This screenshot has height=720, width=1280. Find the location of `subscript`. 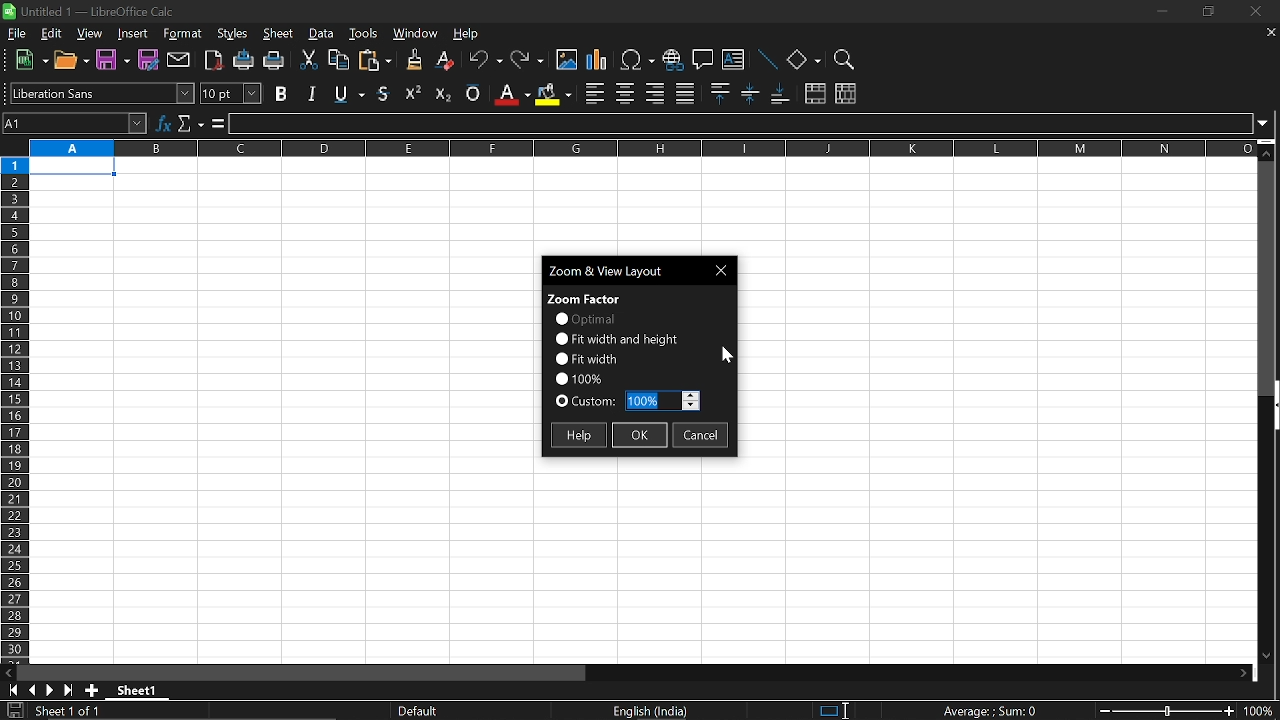

subscript is located at coordinates (441, 92).